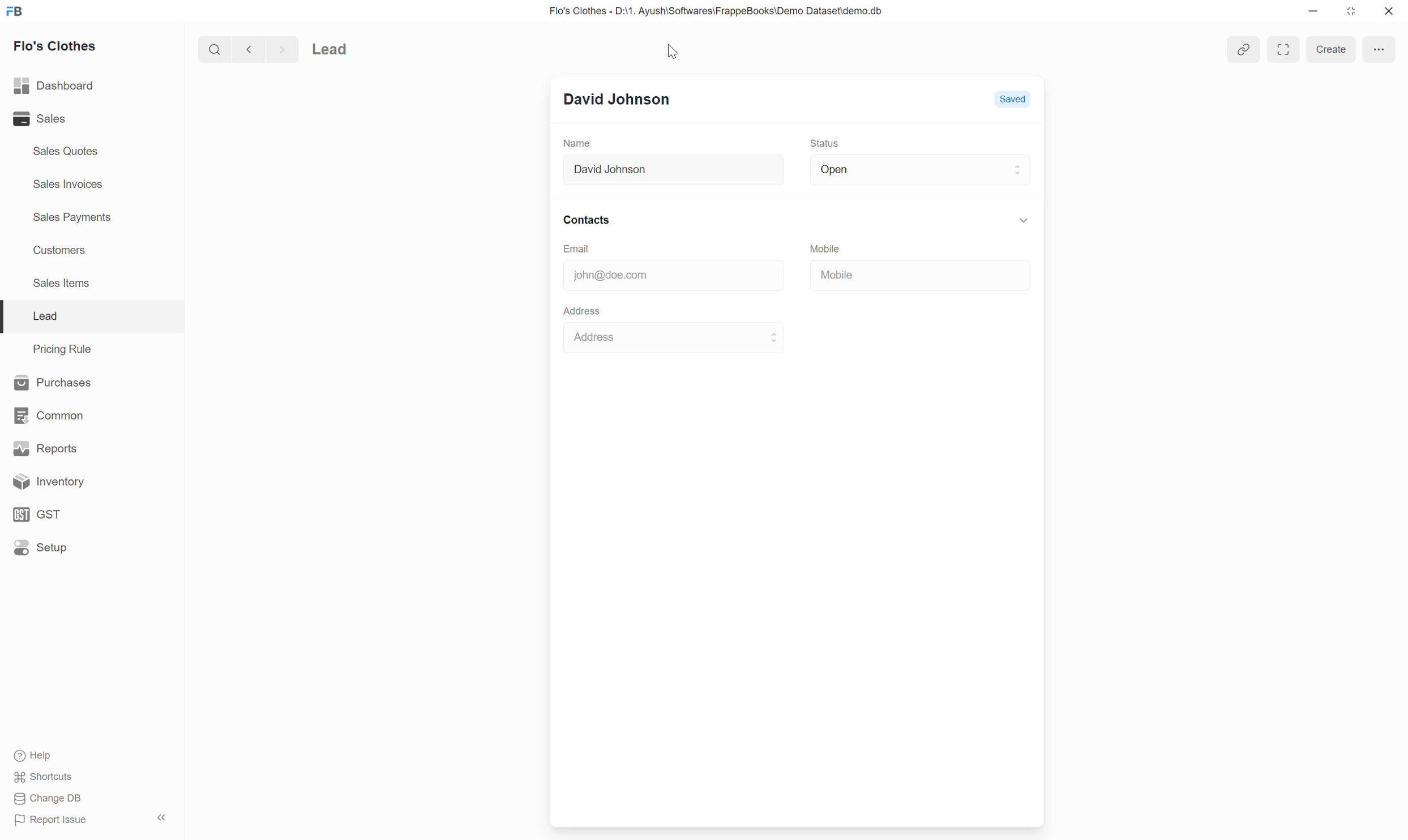  I want to click on attach, so click(1239, 50).